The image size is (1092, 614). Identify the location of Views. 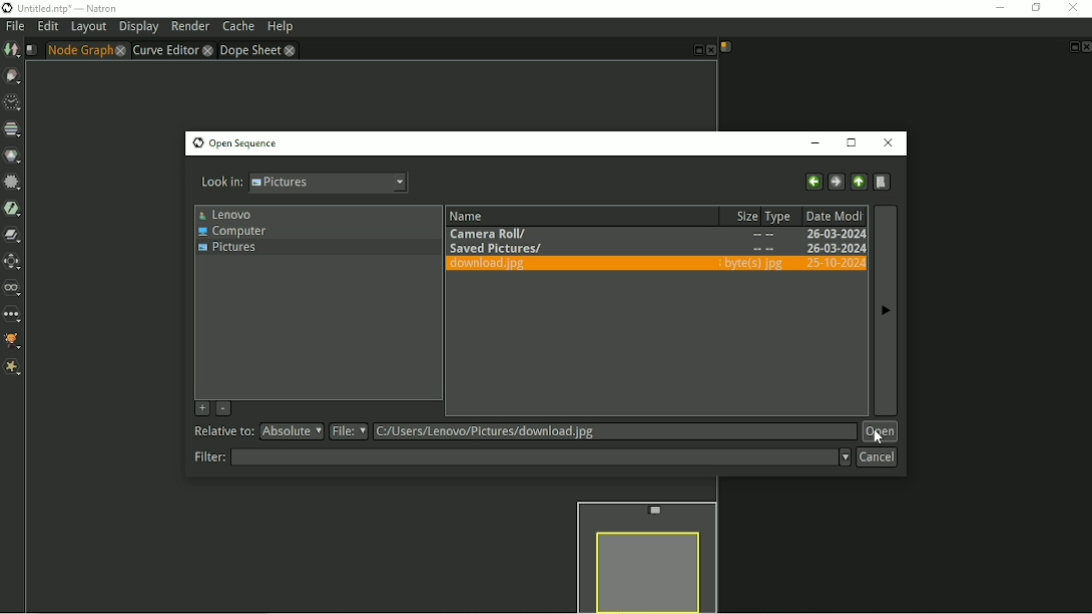
(13, 288).